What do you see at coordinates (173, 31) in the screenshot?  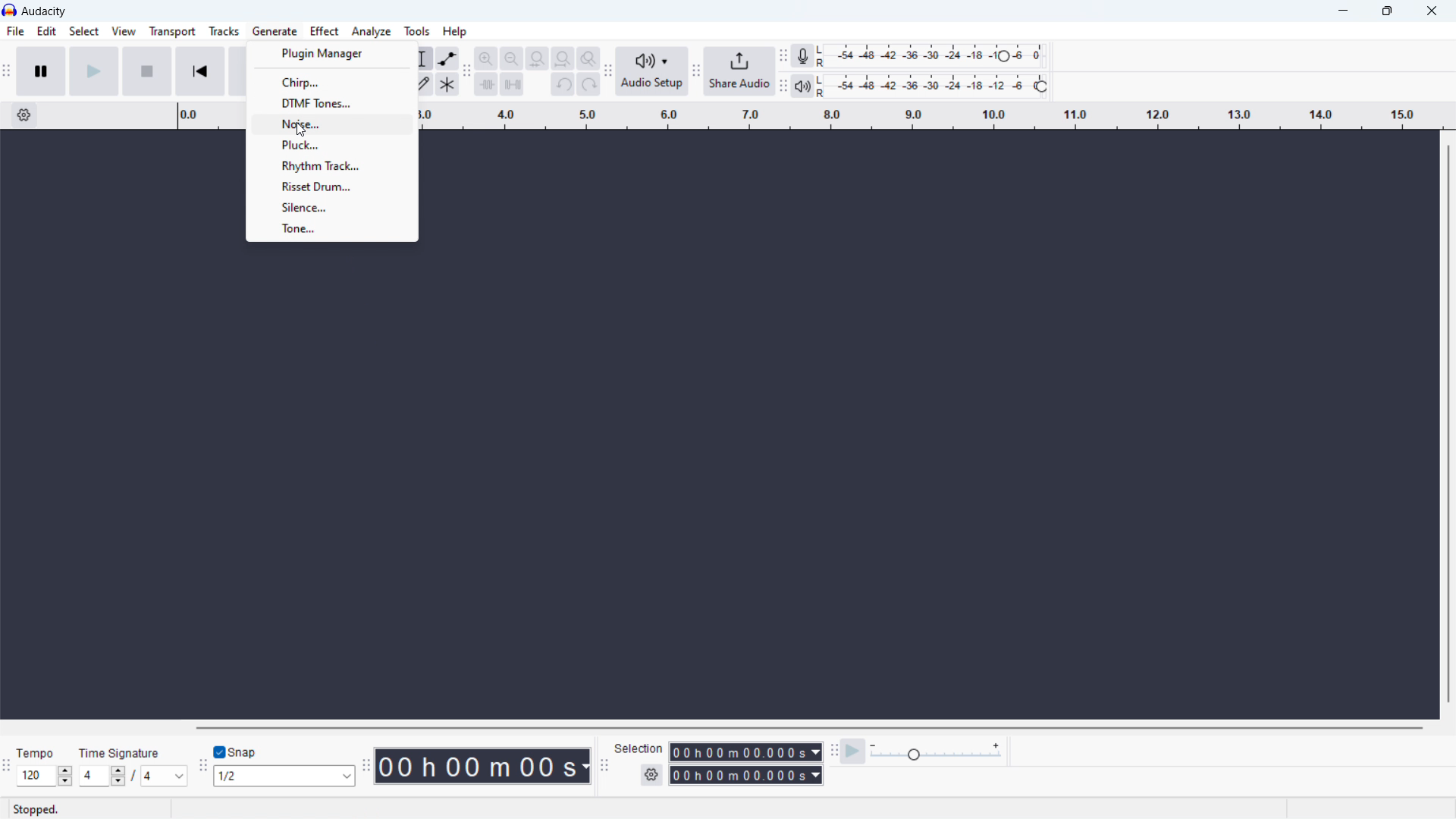 I see `Transport` at bounding box center [173, 31].